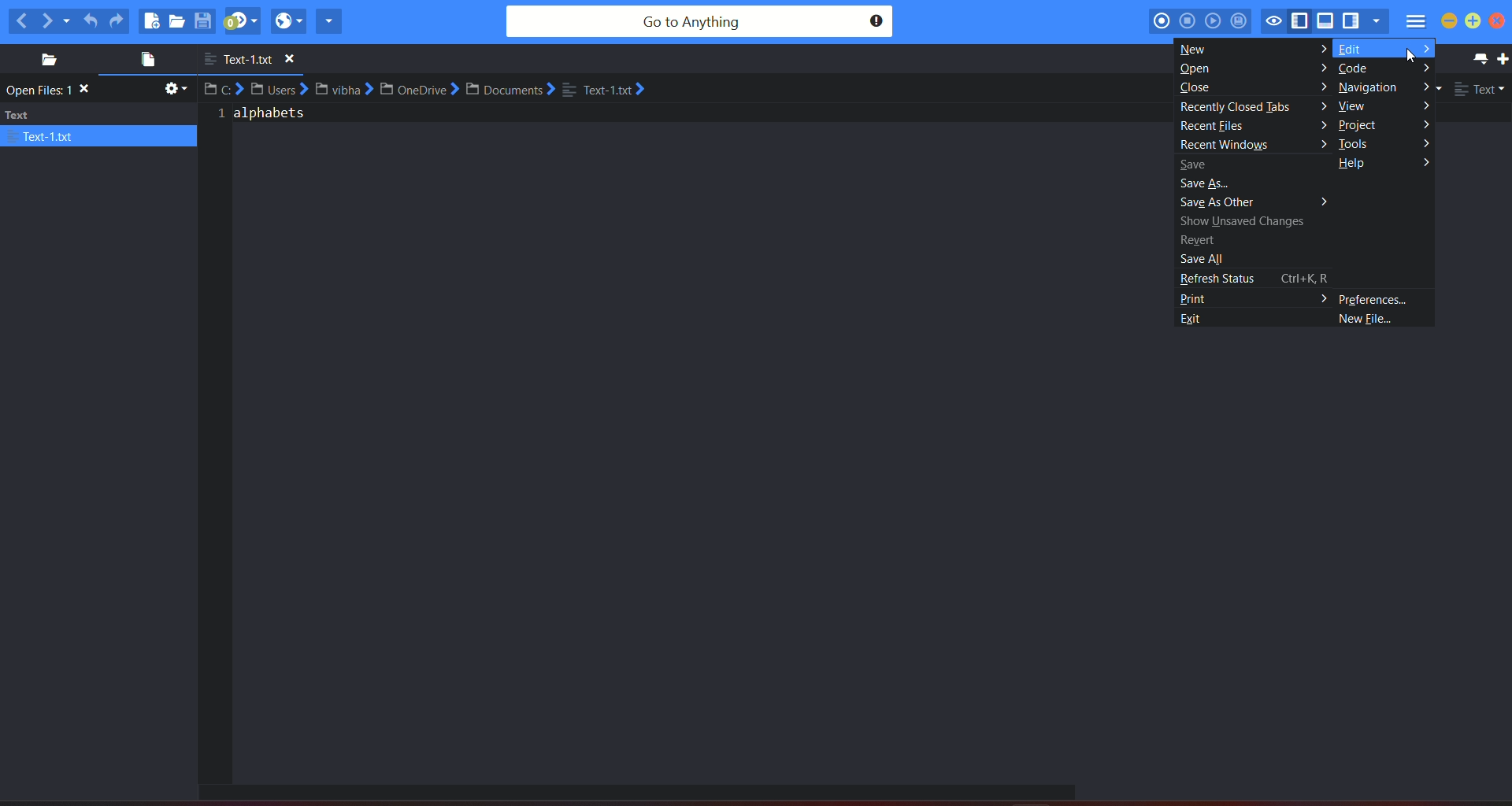 The height and width of the screenshot is (806, 1512). What do you see at coordinates (1321, 83) in the screenshot?
I see `More` at bounding box center [1321, 83].